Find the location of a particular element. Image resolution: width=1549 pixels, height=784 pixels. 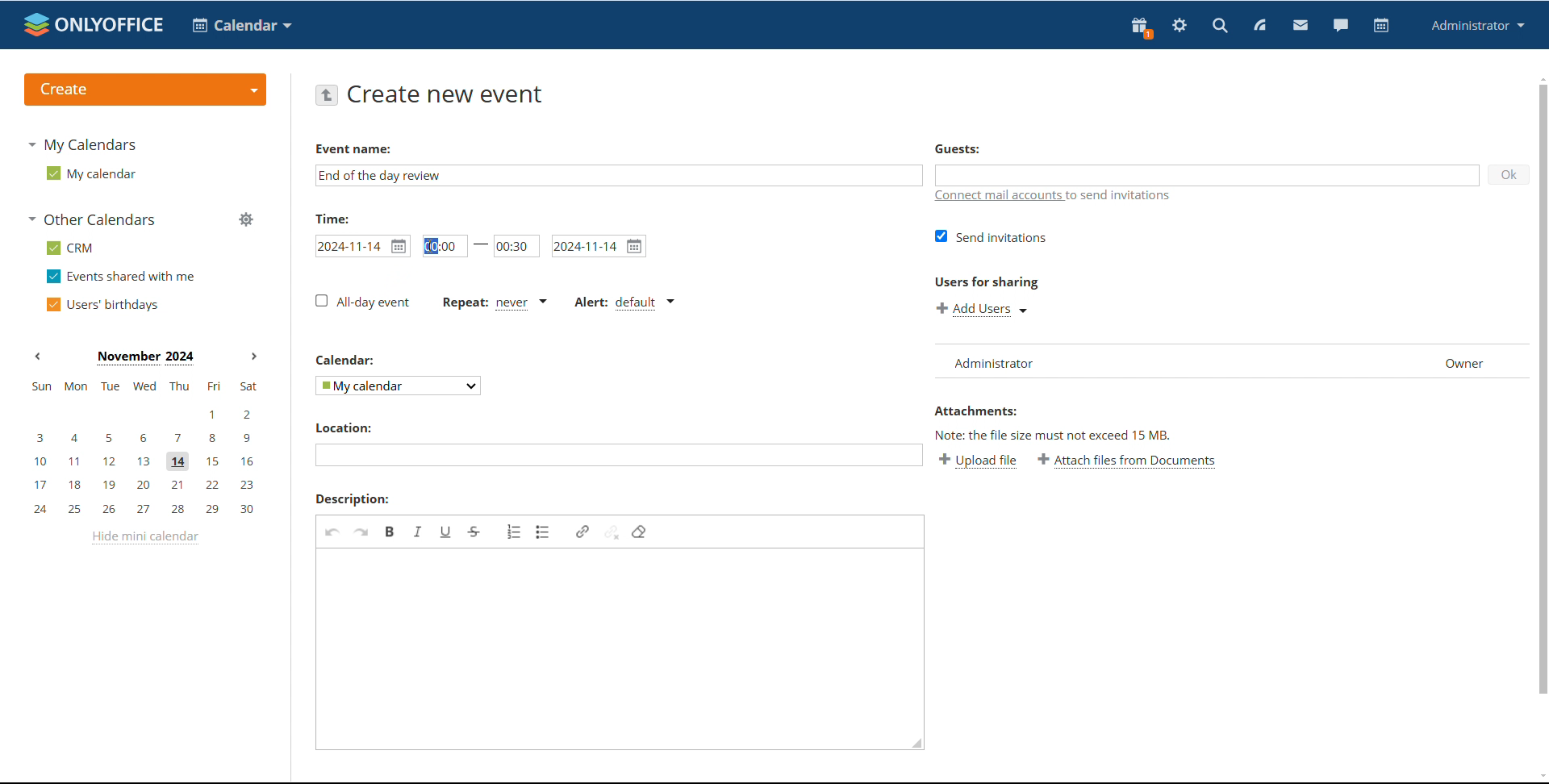

present is located at coordinates (1140, 27).